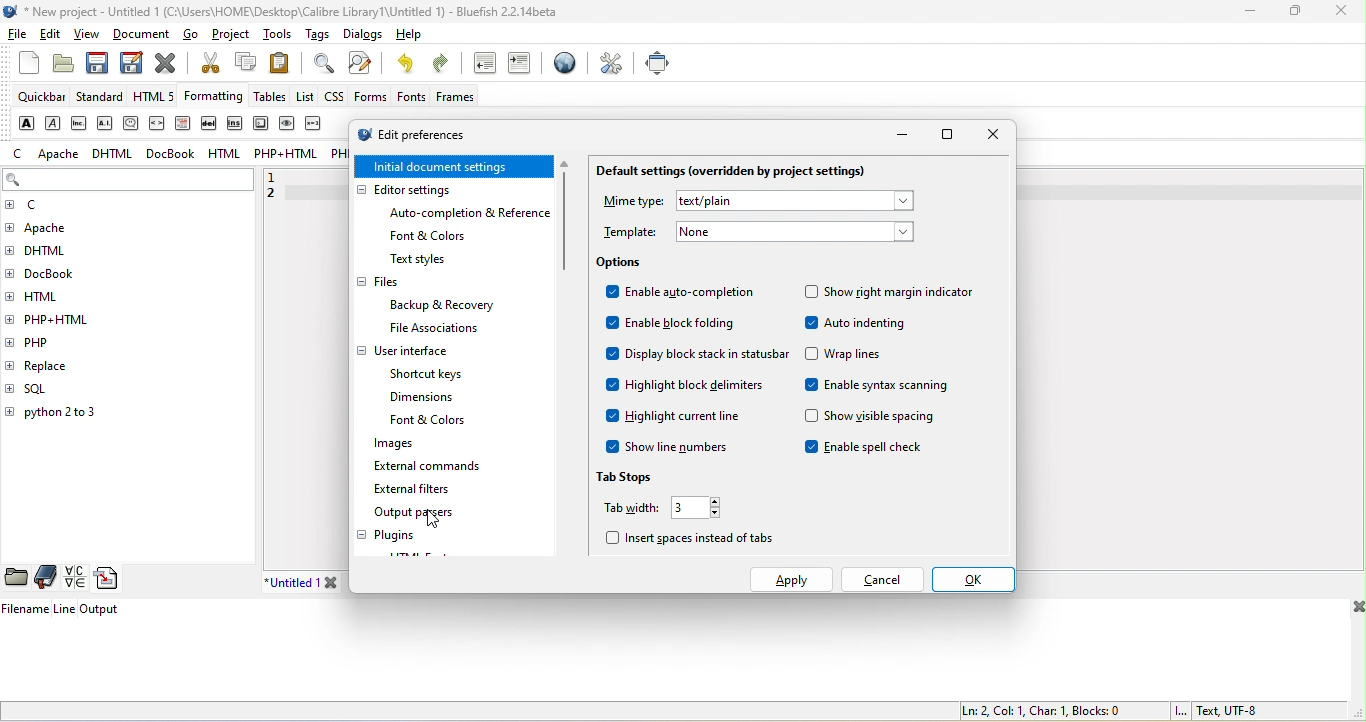 This screenshot has height=722, width=1366. What do you see at coordinates (482, 65) in the screenshot?
I see `unindent` at bounding box center [482, 65].